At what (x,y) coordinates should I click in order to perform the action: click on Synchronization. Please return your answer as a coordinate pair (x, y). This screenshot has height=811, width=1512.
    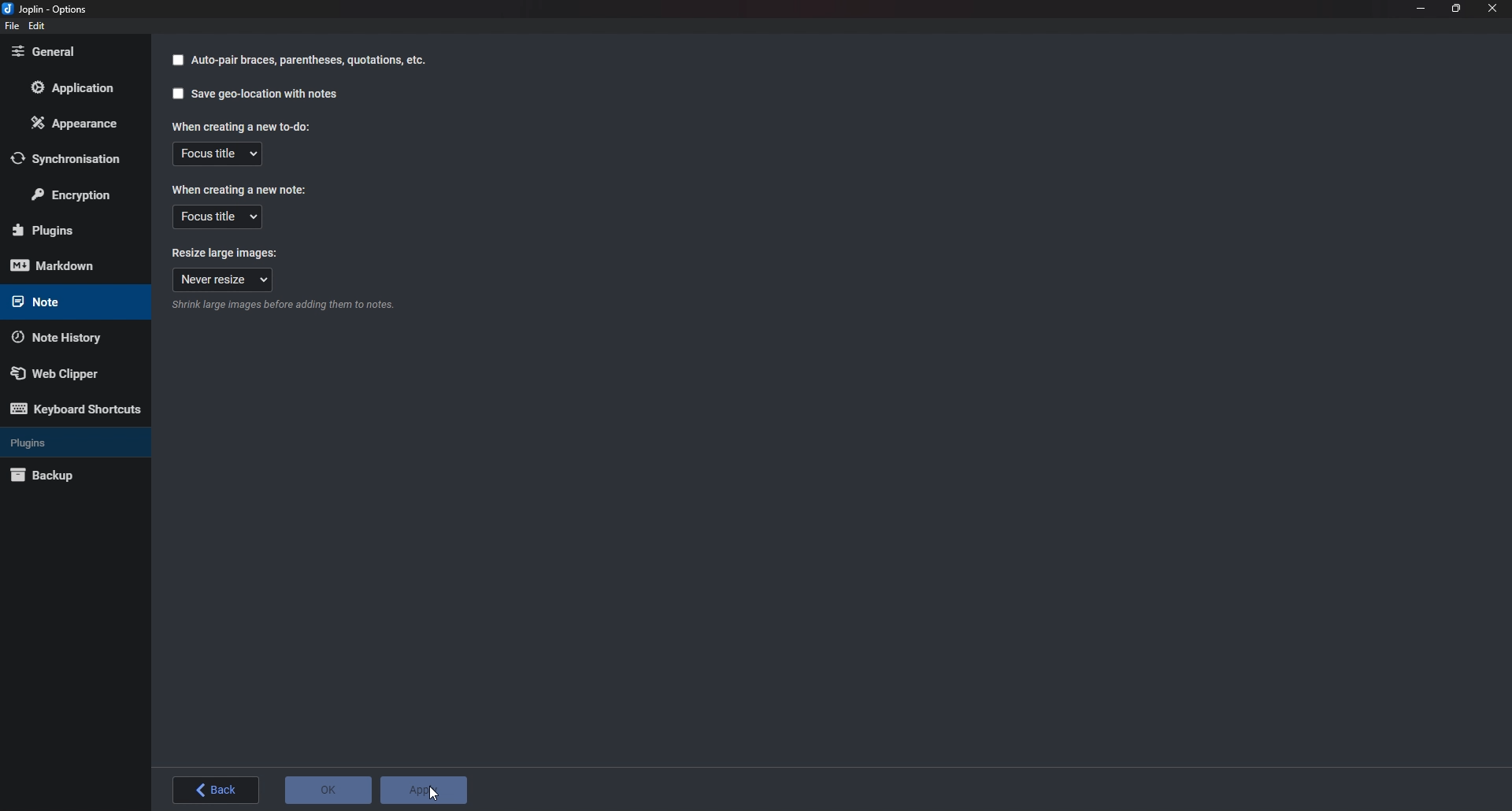
    Looking at the image, I should click on (73, 158).